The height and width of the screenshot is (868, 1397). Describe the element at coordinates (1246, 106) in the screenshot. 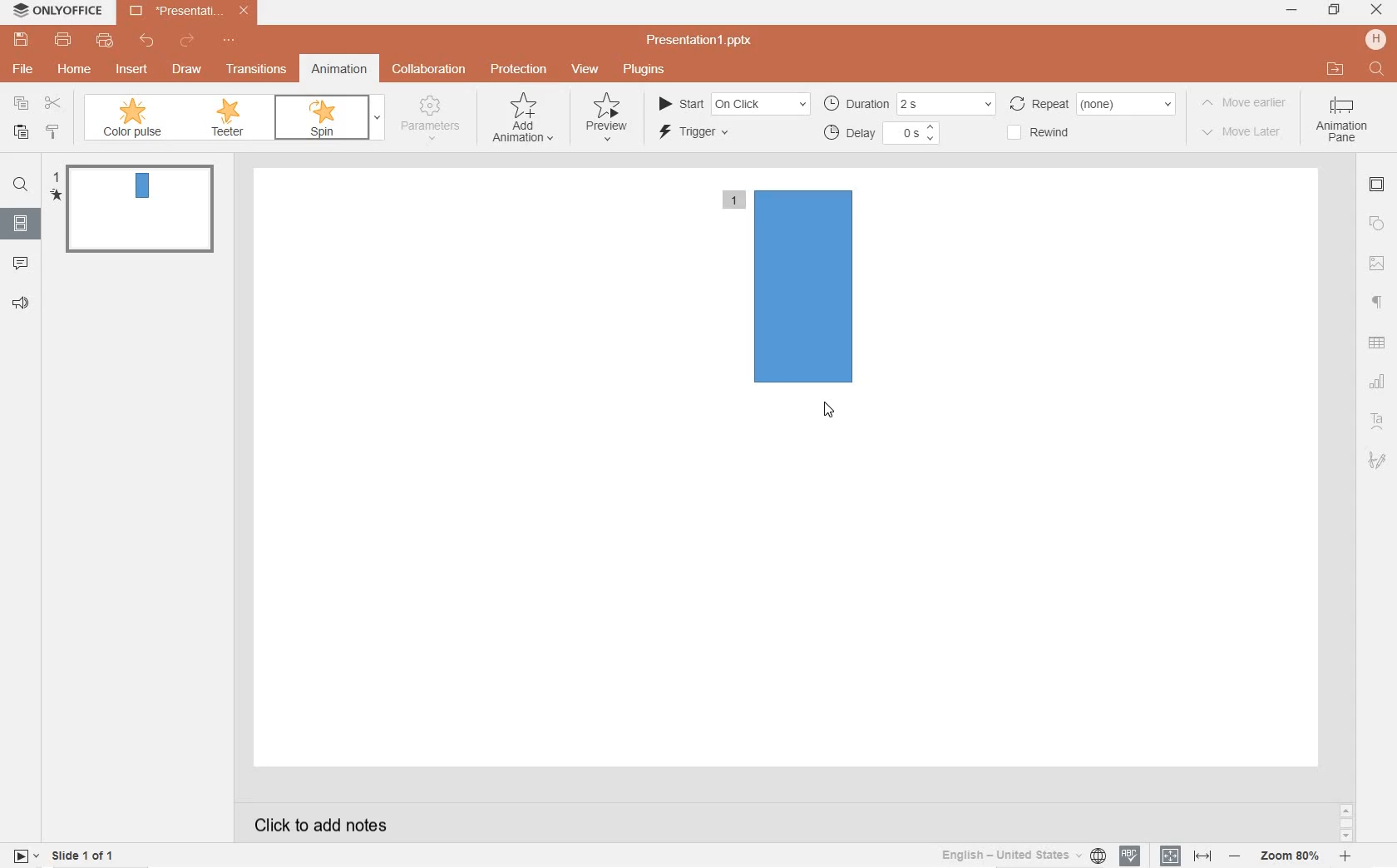

I see `move earlier` at that location.